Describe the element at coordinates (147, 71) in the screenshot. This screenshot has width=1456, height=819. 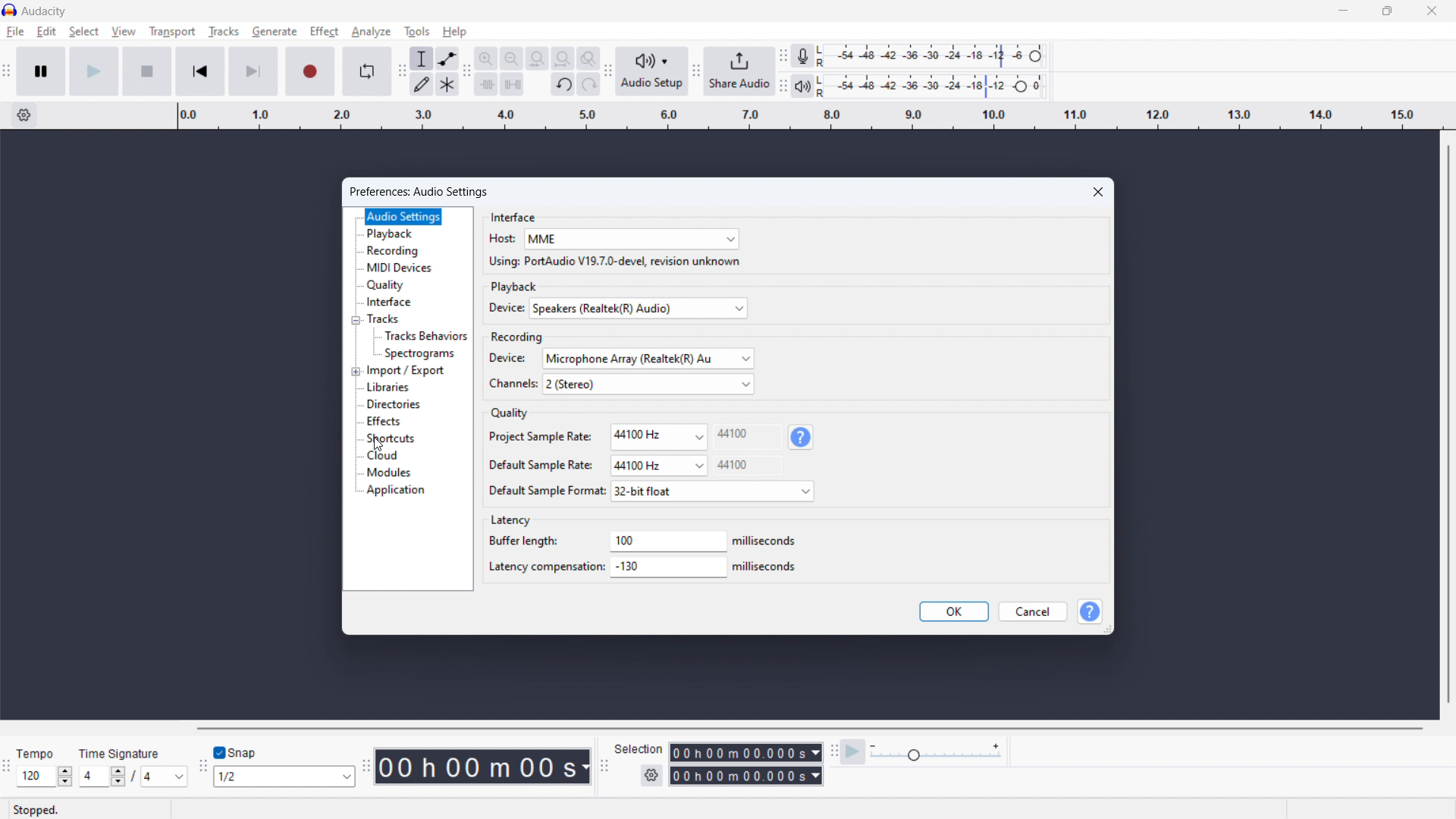
I see `stop` at that location.